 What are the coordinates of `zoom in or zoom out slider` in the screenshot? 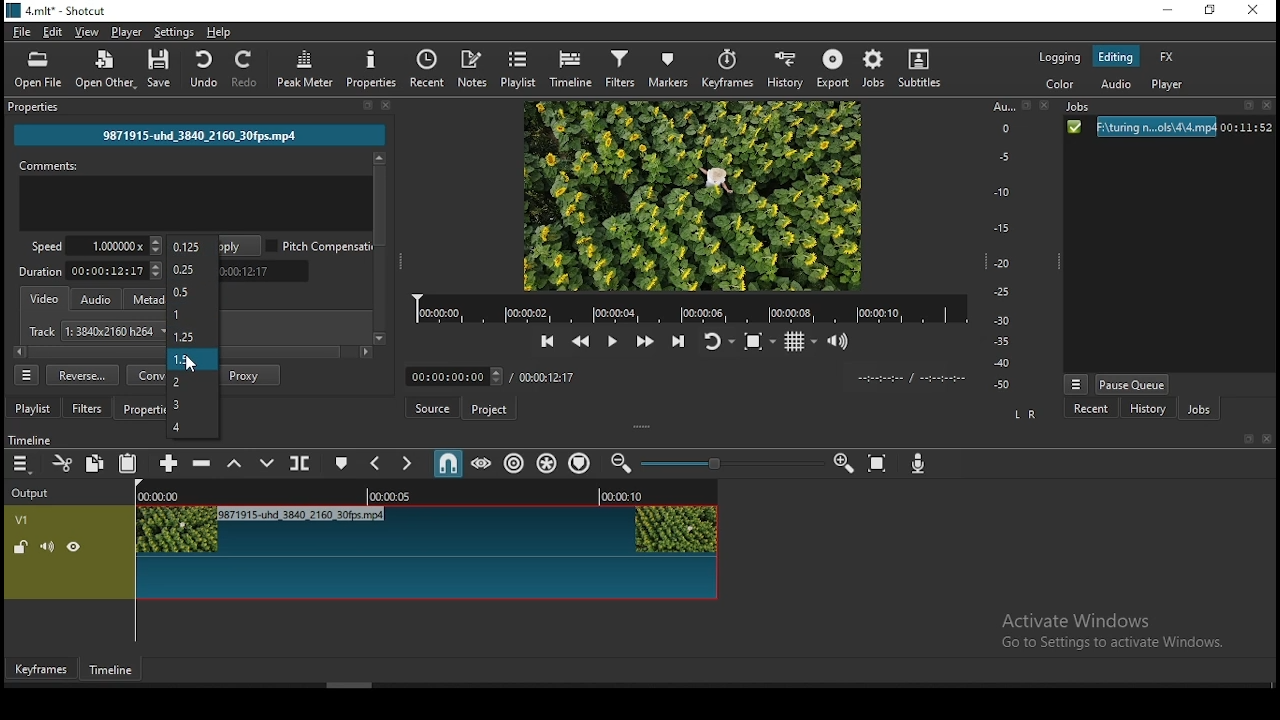 It's located at (731, 466).